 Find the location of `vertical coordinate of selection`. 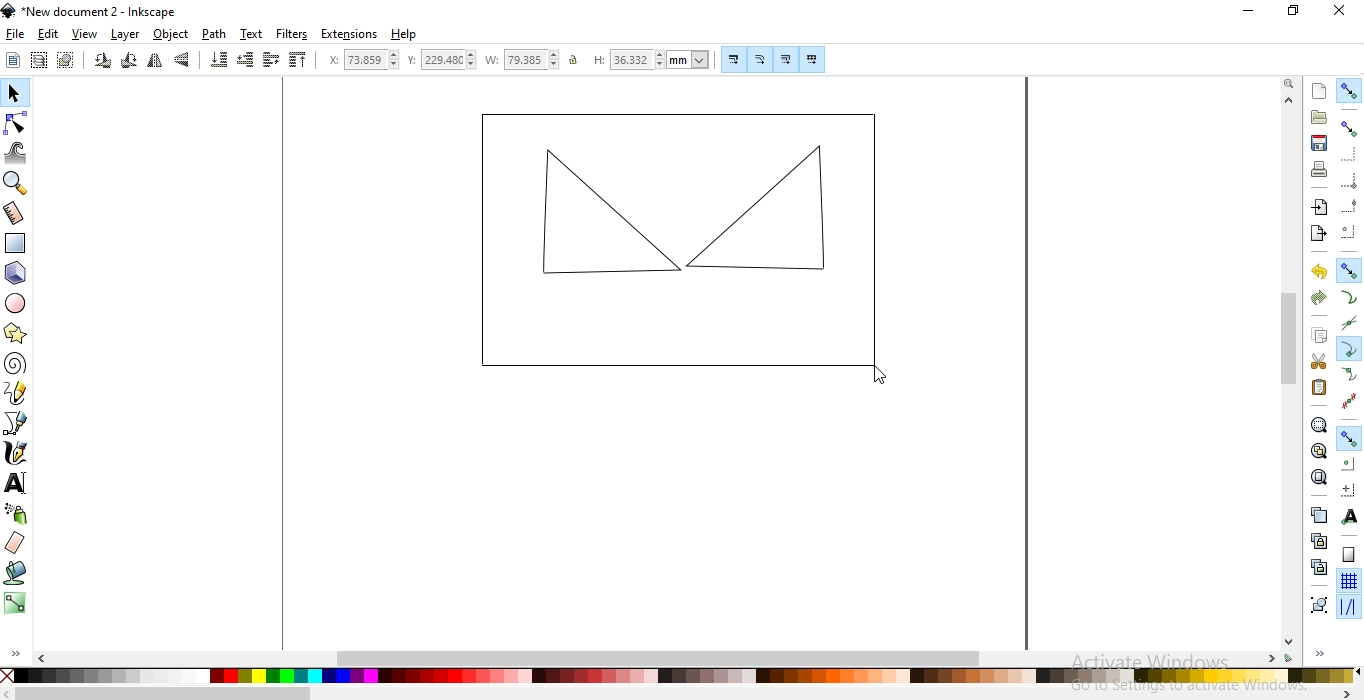

vertical coordinate of selection is located at coordinates (443, 59).